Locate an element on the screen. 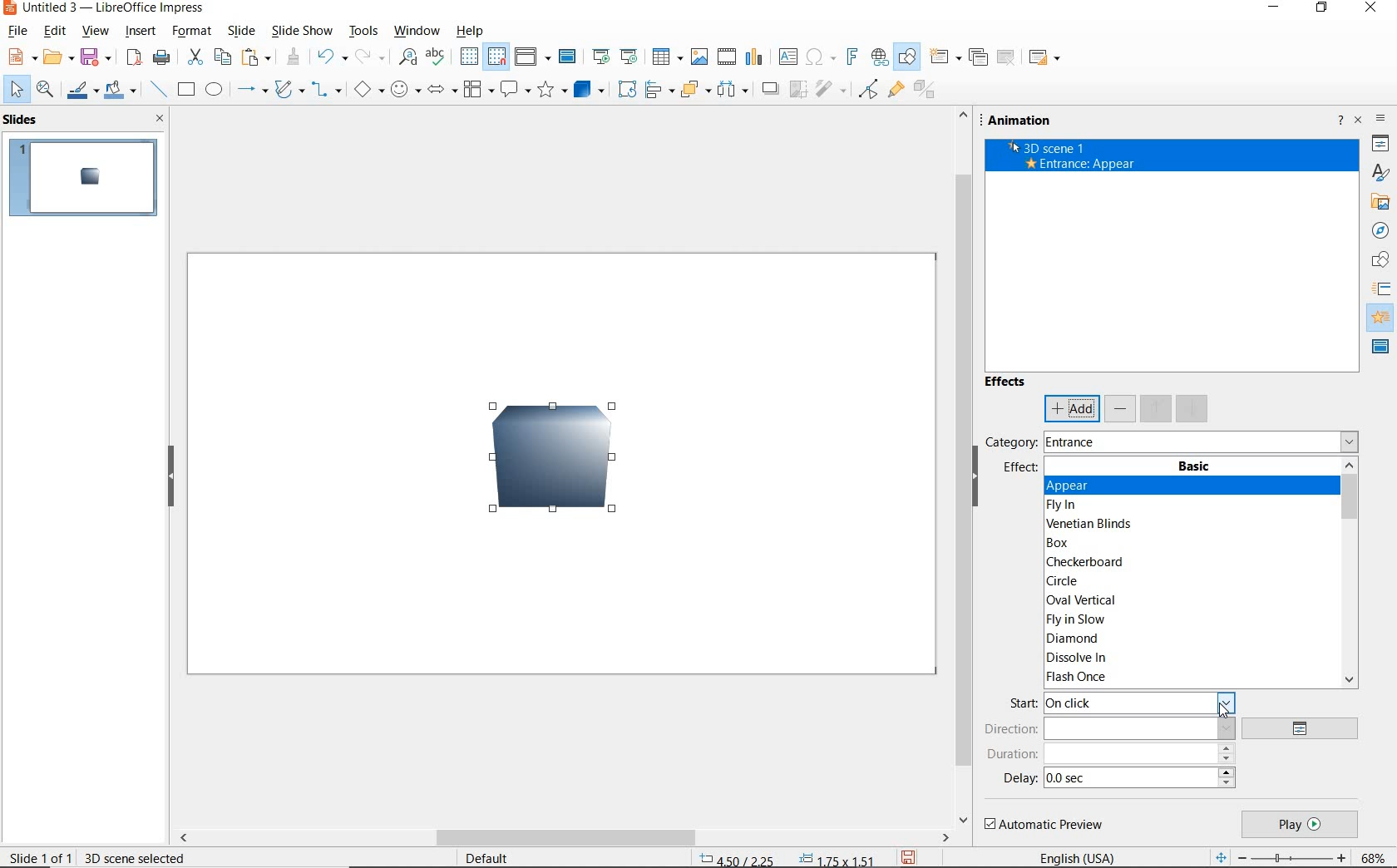  insert line is located at coordinates (159, 90).